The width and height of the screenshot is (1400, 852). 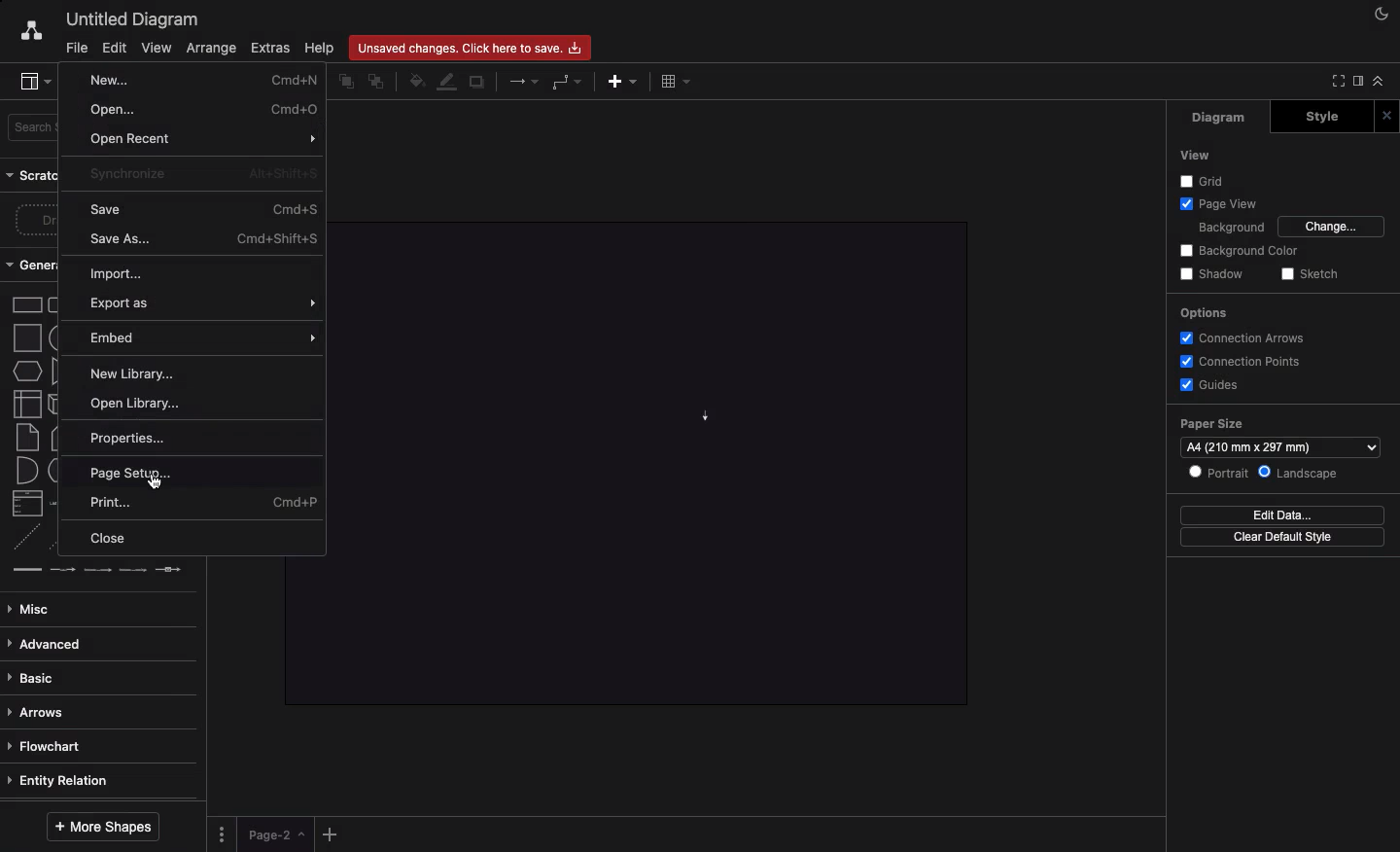 What do you see at coordinates (1282, 538) in the screenshot?
I see `Clear default style` at bounding box center [1282, 538].